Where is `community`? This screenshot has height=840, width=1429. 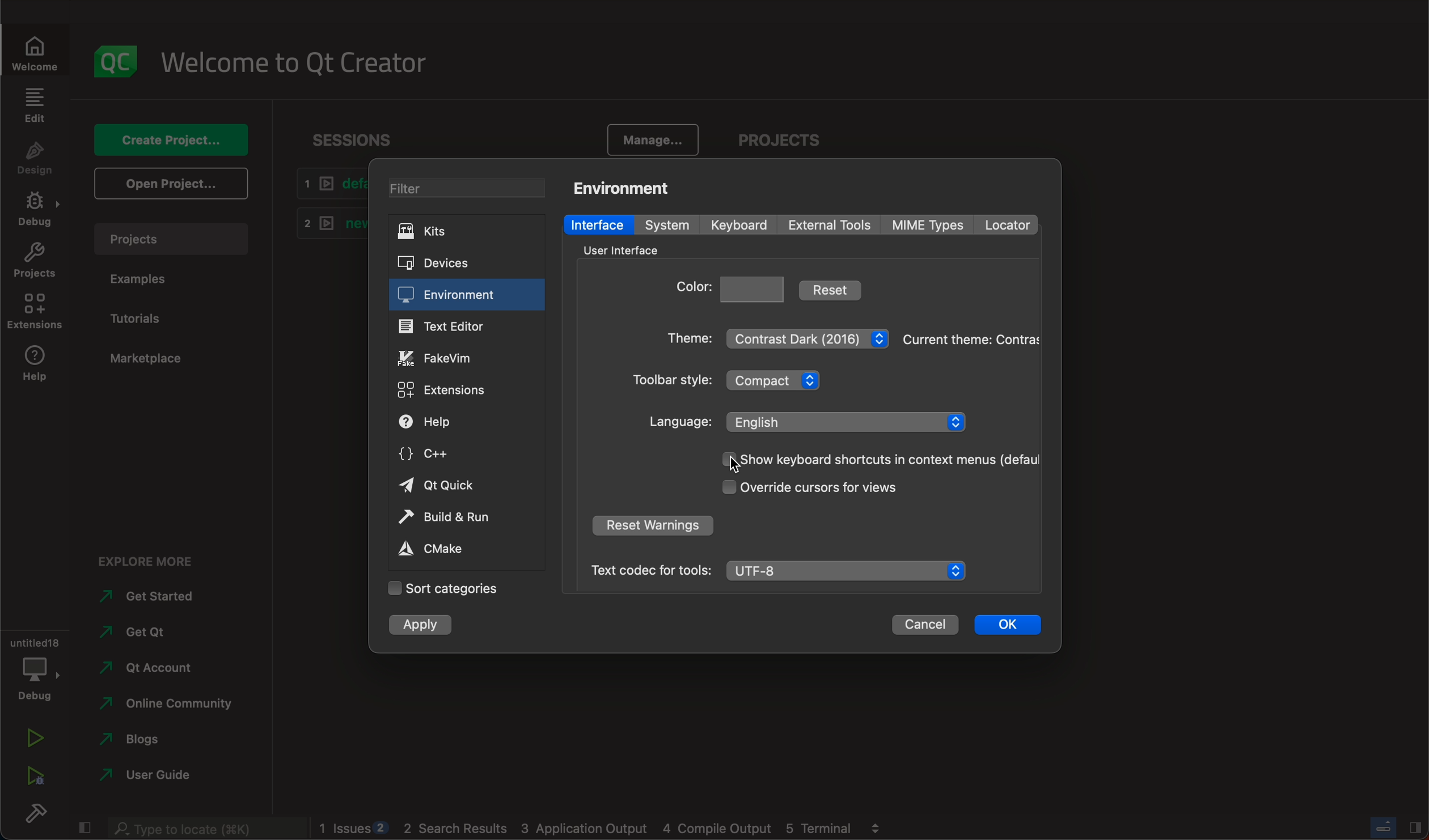
community is located at coordinates (166, 705).